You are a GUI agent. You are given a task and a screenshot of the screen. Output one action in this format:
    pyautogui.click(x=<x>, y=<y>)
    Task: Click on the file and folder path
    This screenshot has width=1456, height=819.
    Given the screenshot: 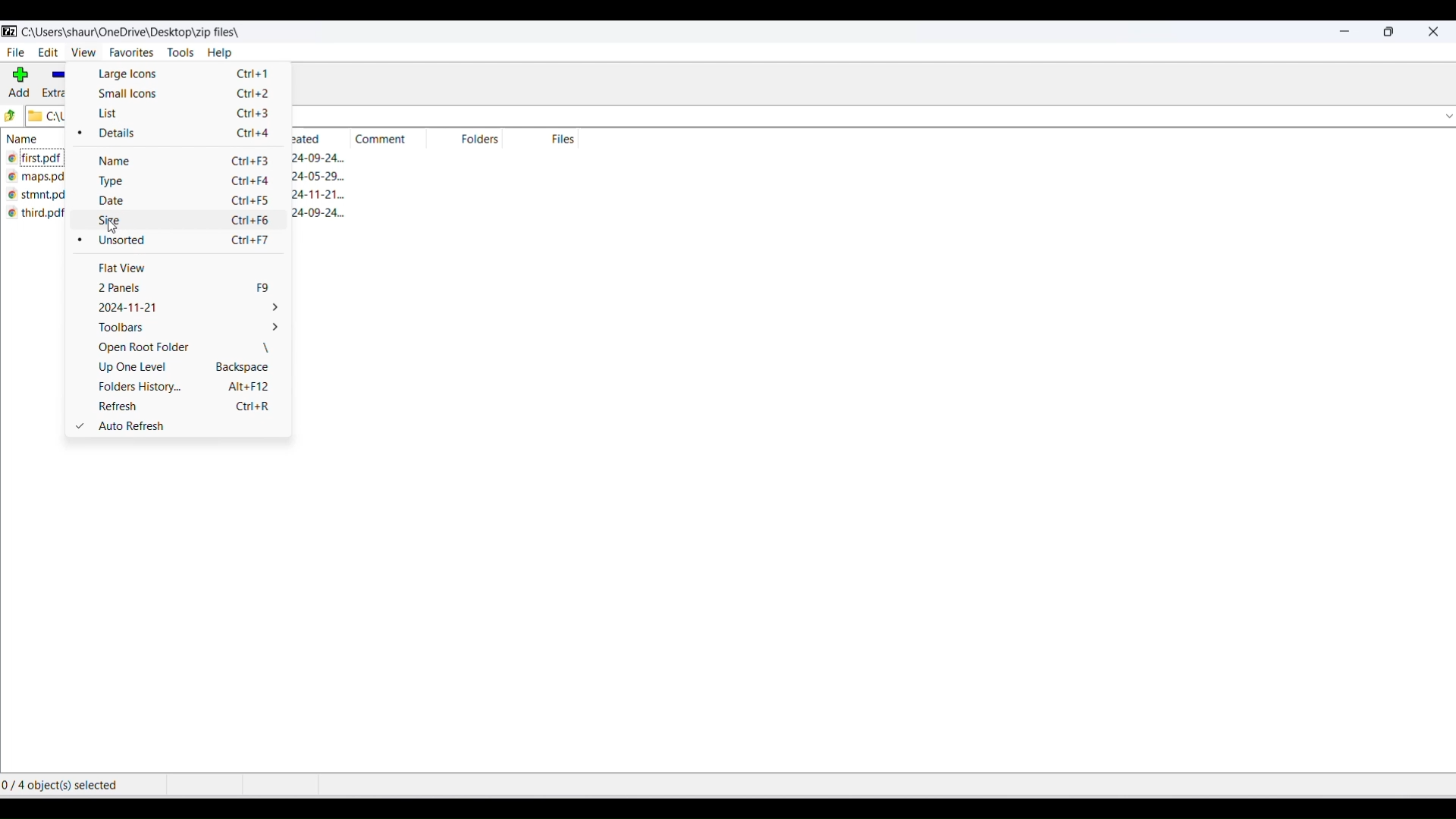 What is the action you would take?
    pyautogui.click(x=863, y=119)
    